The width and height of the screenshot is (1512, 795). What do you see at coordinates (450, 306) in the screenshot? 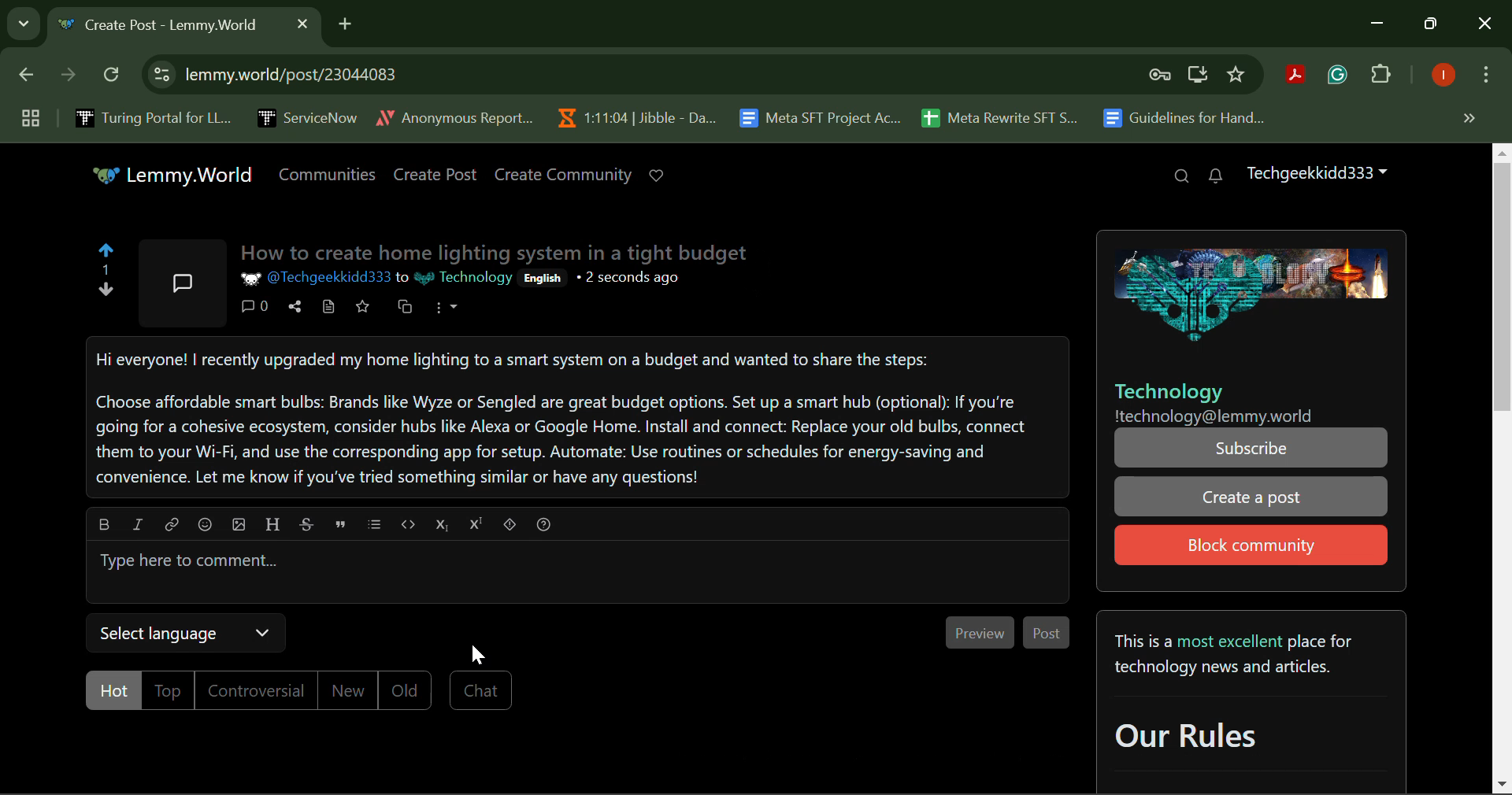
I see `Options` at bounding box center [450, 306].